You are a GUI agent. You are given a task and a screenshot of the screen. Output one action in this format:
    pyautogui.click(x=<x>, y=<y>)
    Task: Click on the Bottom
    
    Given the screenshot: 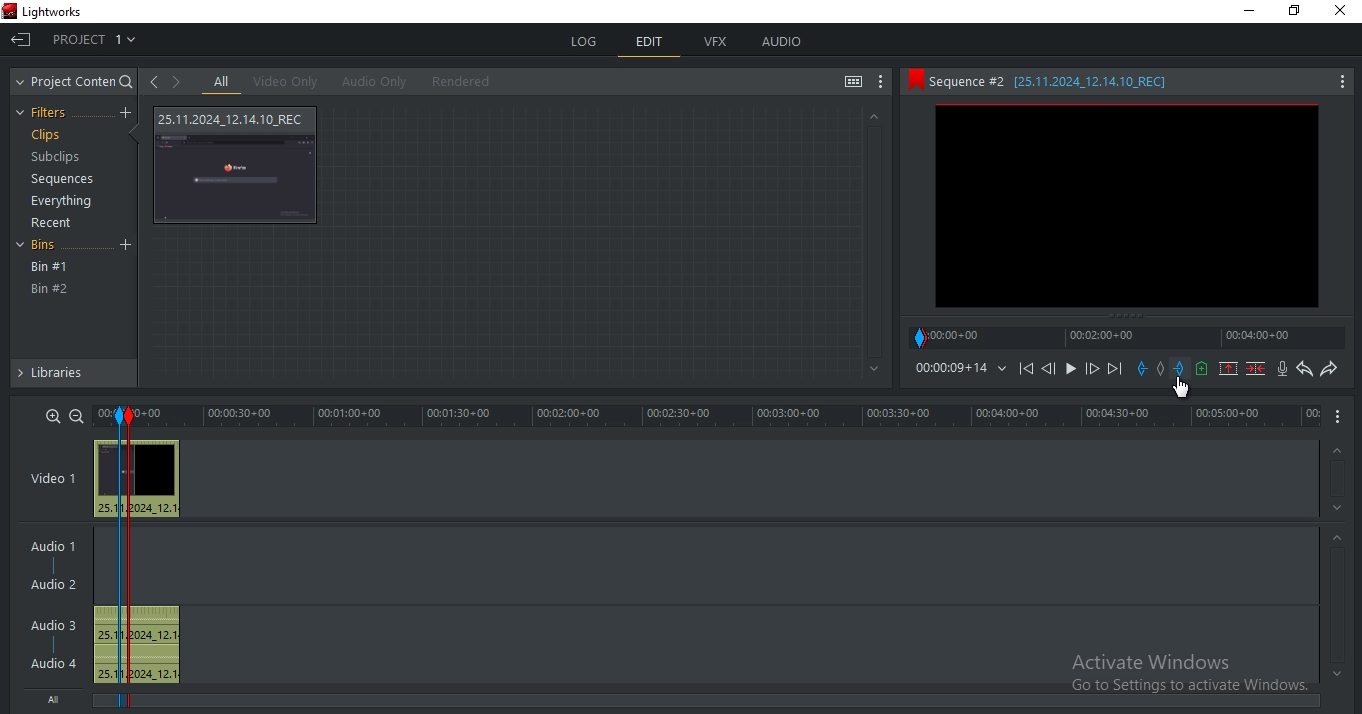 What is the action you would take?
    pyautogui.click(x=1334, y=674)
    